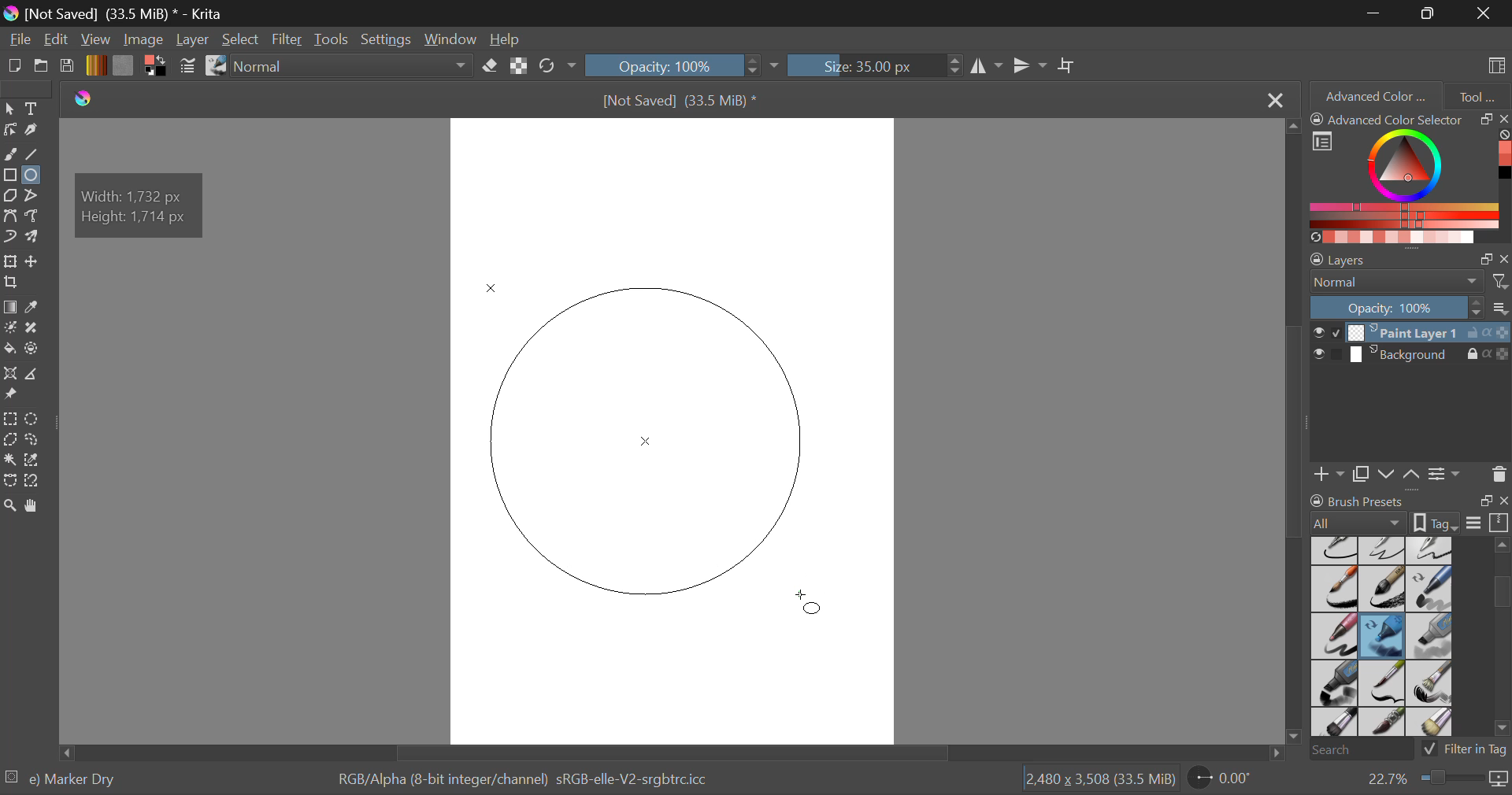 The height and width of the screenshot is (795, 1512). What do you see at coordinates (13, 218) in the screenshot?
I see `Bezier Curve` at bounding box center [13, 218].